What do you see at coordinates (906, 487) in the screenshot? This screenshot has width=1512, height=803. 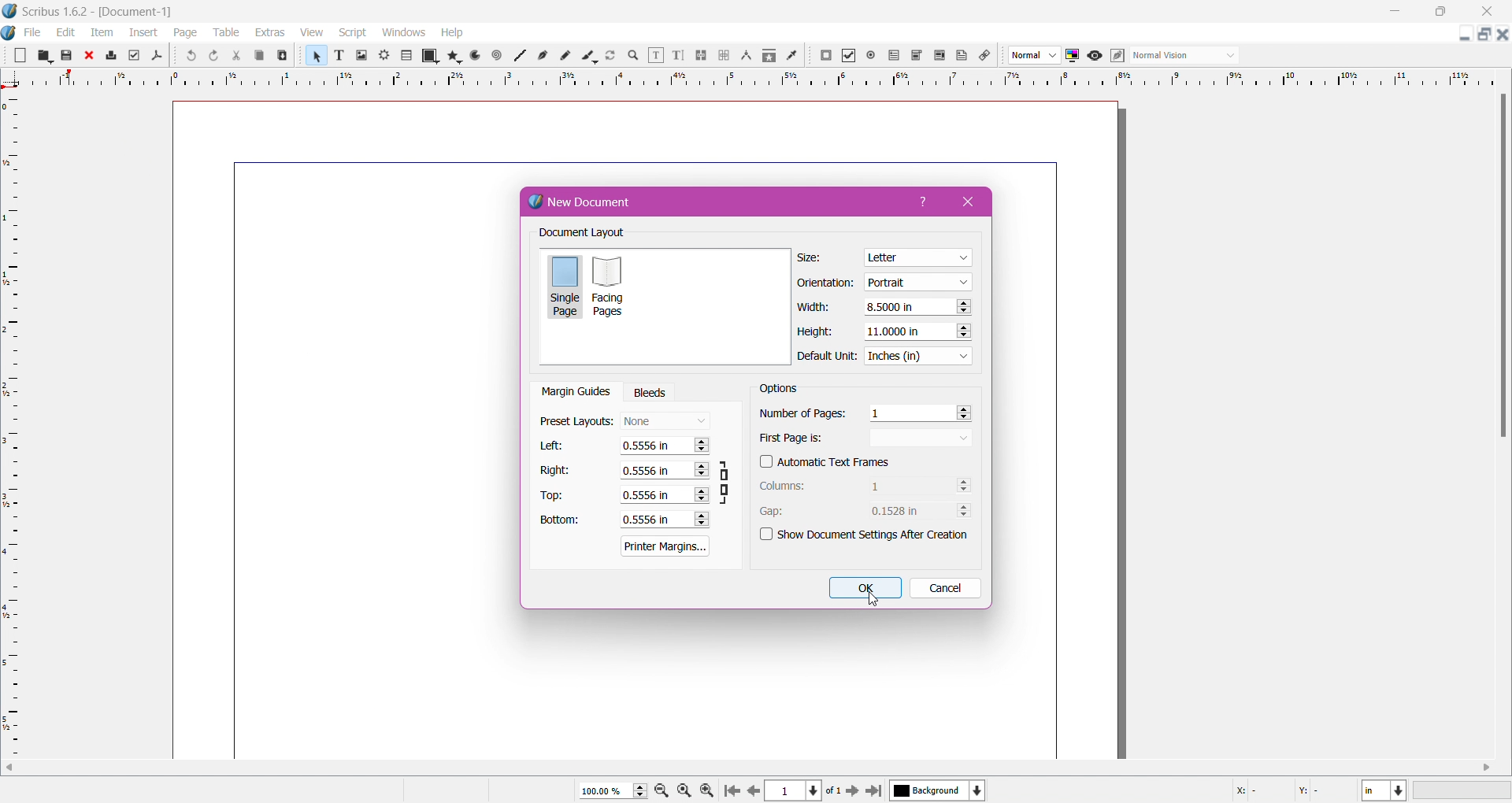 I see `1` at bounding box center [906, 487].